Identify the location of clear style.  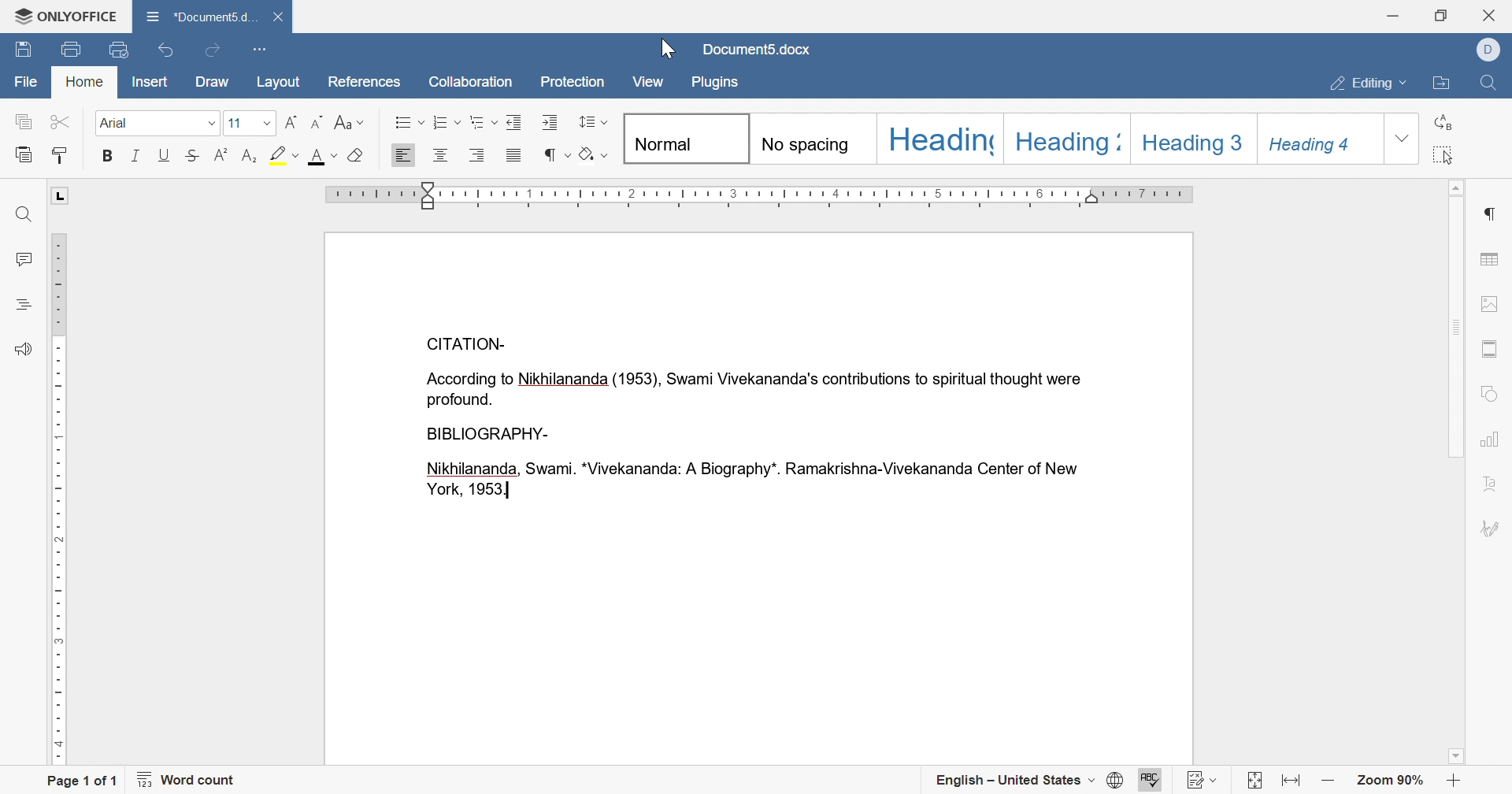
(357, 156).